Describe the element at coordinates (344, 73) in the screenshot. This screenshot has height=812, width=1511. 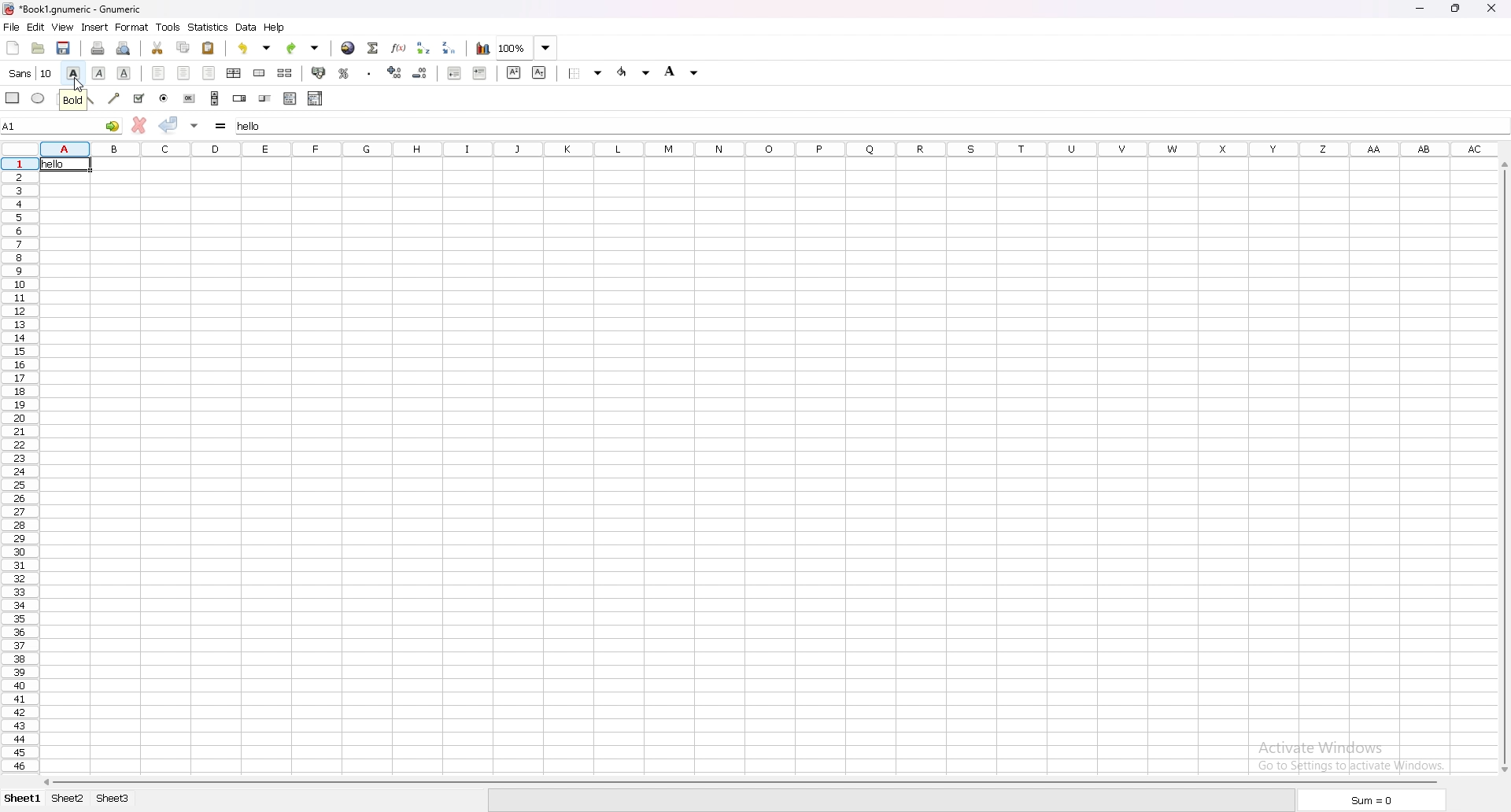
I see `percentage` at that location.